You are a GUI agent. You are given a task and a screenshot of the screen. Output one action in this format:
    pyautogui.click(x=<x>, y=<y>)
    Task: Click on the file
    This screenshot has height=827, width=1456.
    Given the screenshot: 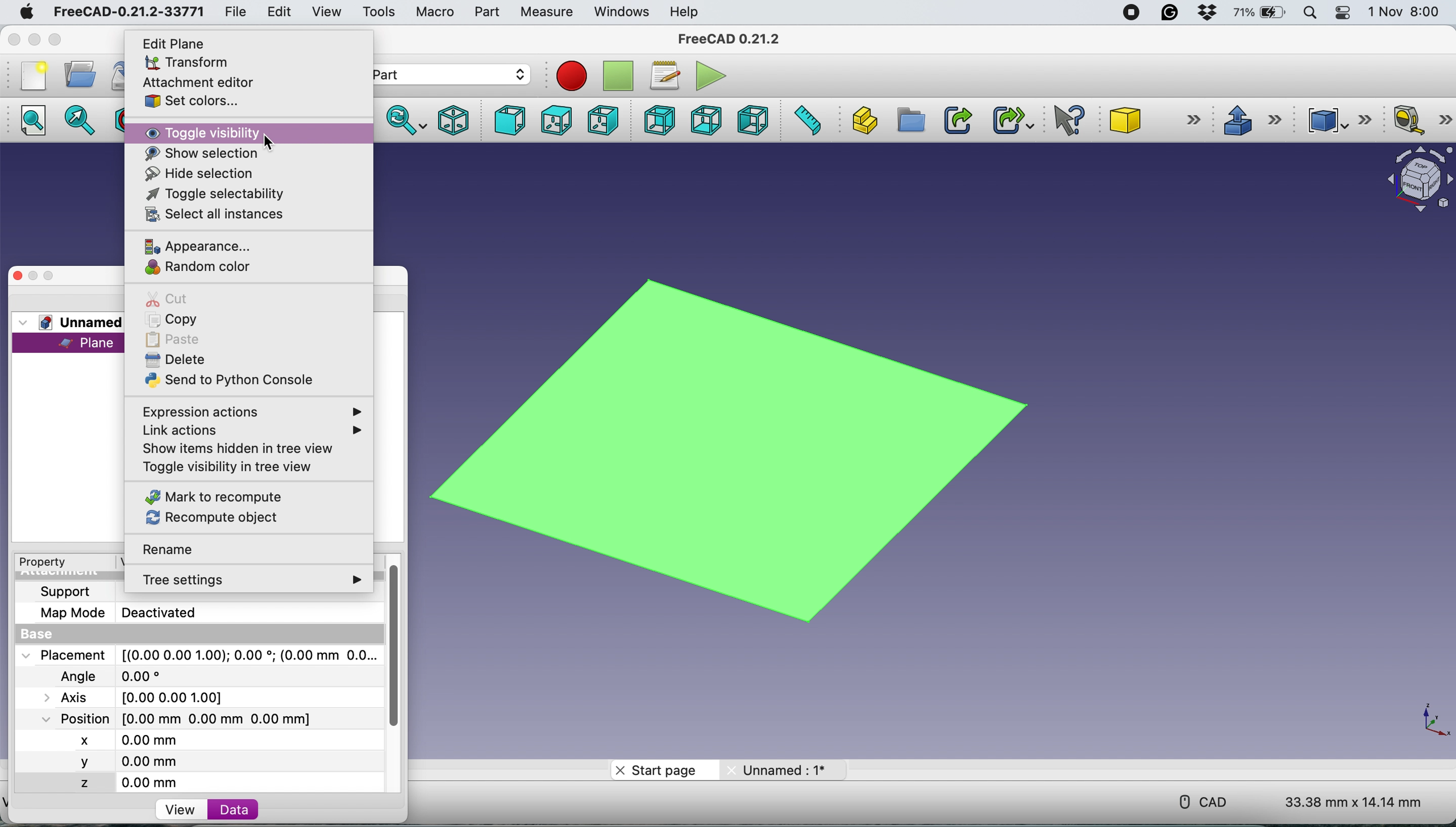 What is the action you would take?
    pyautogui.click(x=231, y=12)
    